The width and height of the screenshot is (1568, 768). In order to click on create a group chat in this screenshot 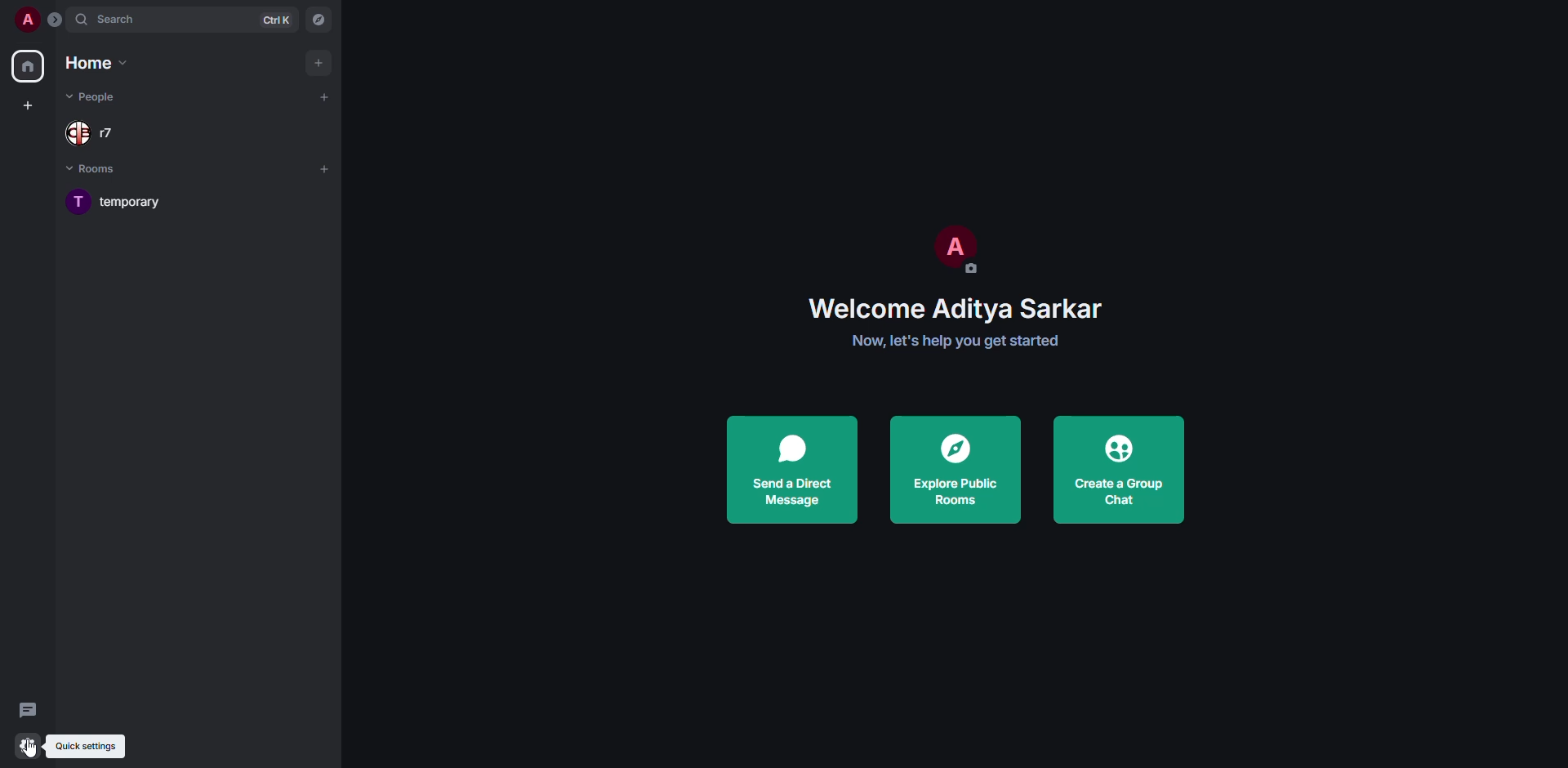, I will do `click(1120, 471)`.